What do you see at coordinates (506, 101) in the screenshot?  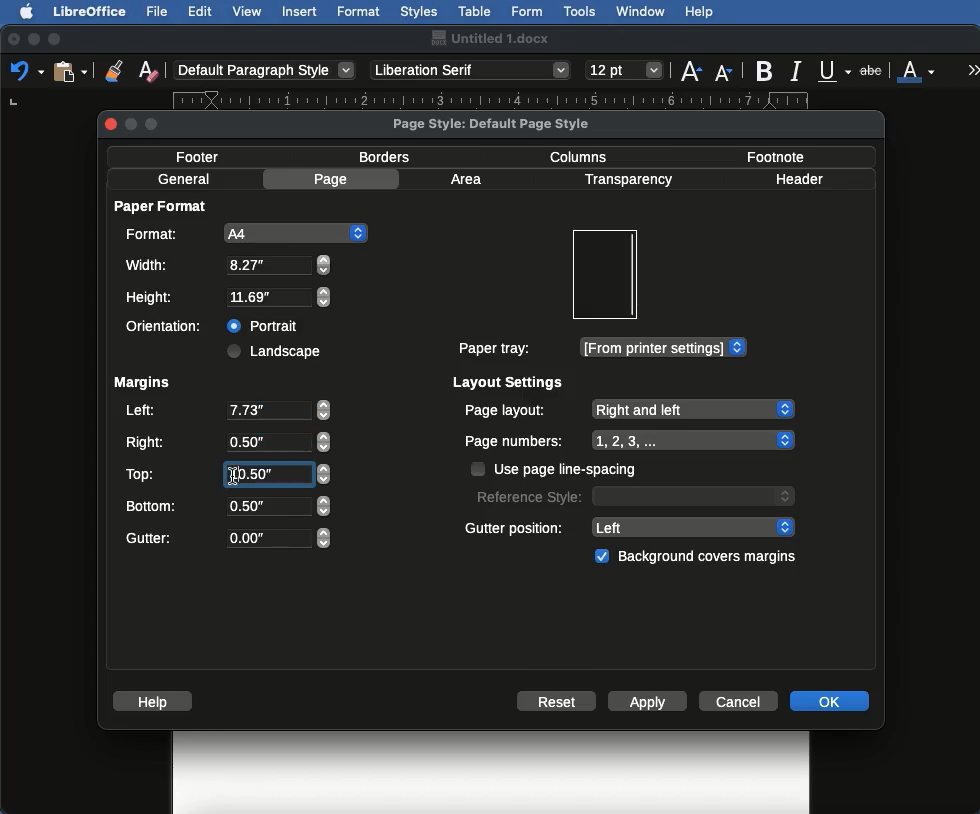 I see `Ruler` at bounding box center [506, 101].